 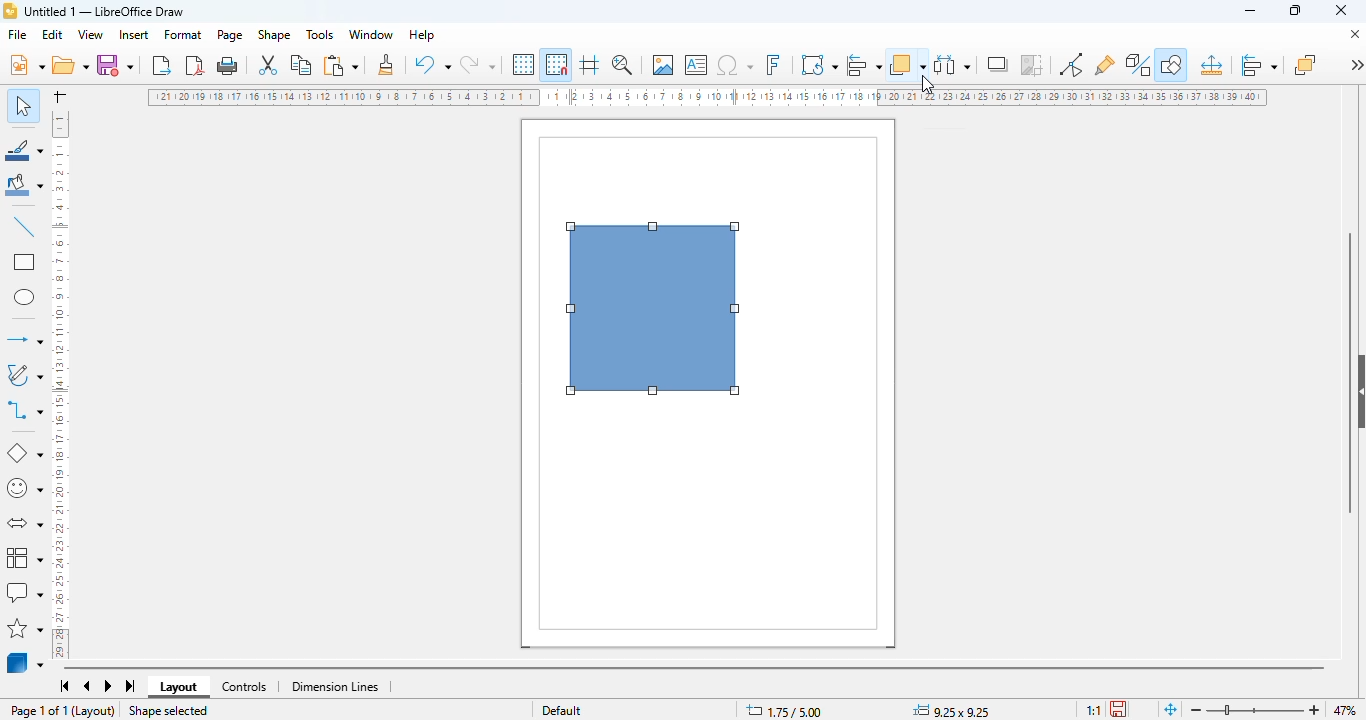 What do you see at coordinates (1171, 65) in the screenshot?
I see `show draw functions` at bounding box center [1171, 65].